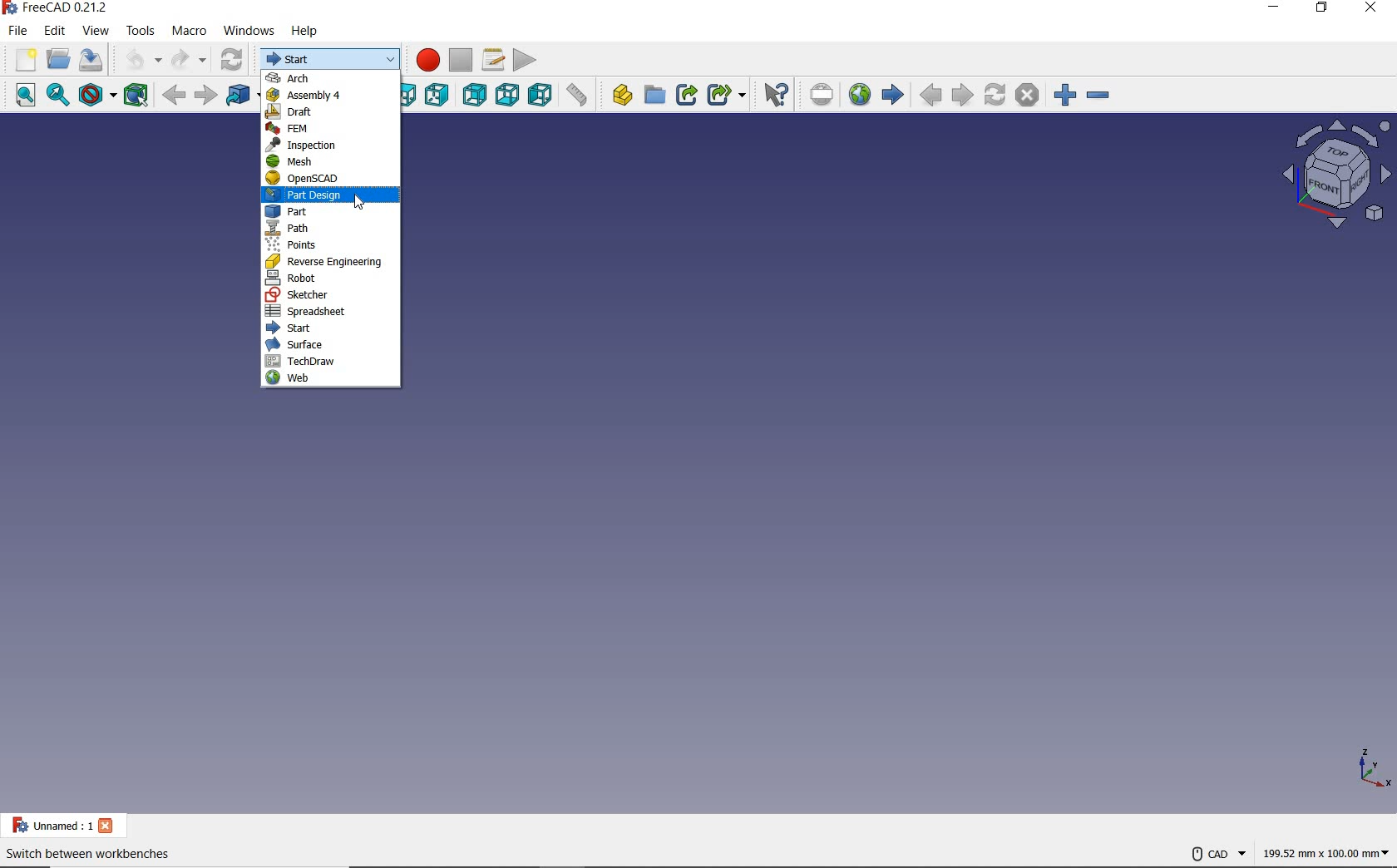  I want to click on ZOOM IN, so click(1064, 94).